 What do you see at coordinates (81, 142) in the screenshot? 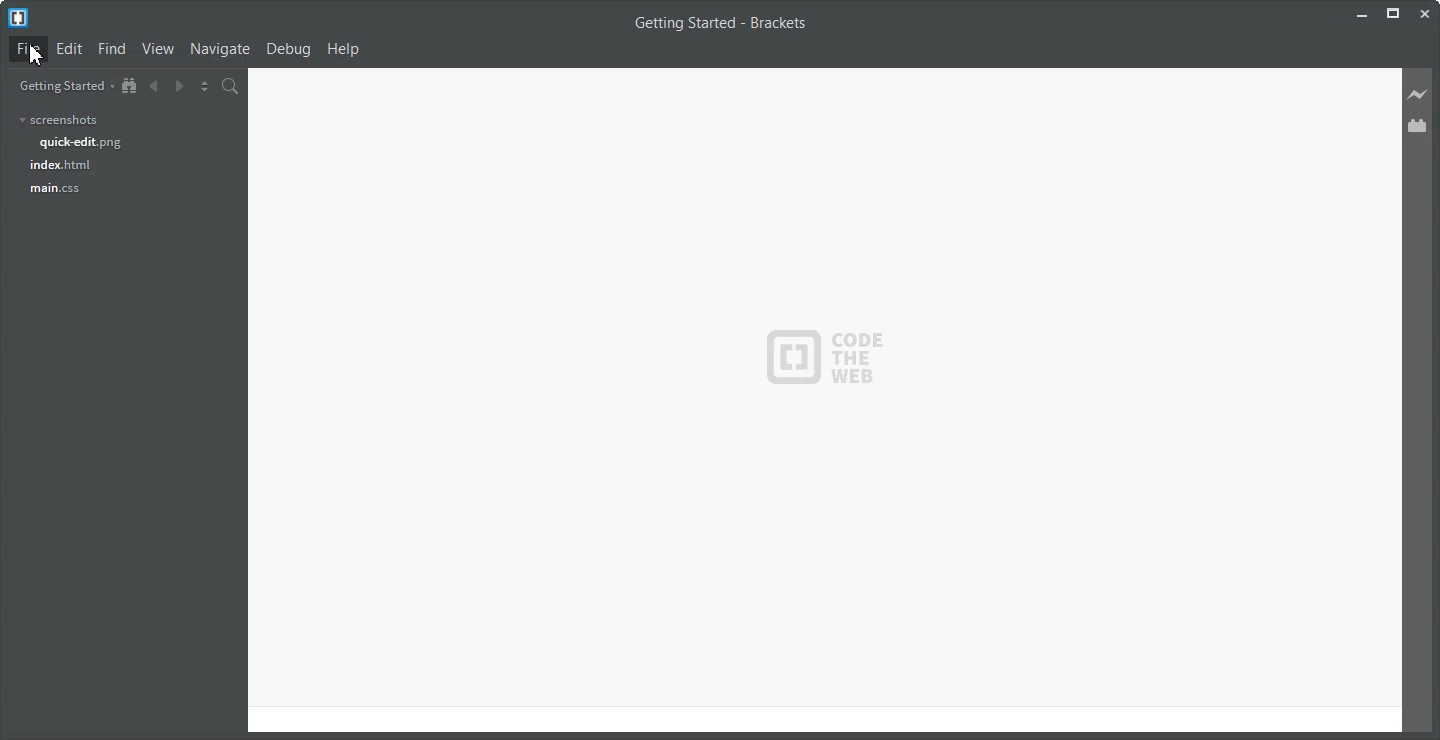
I see `quick-edit.png` at bounding box center [81, 142].